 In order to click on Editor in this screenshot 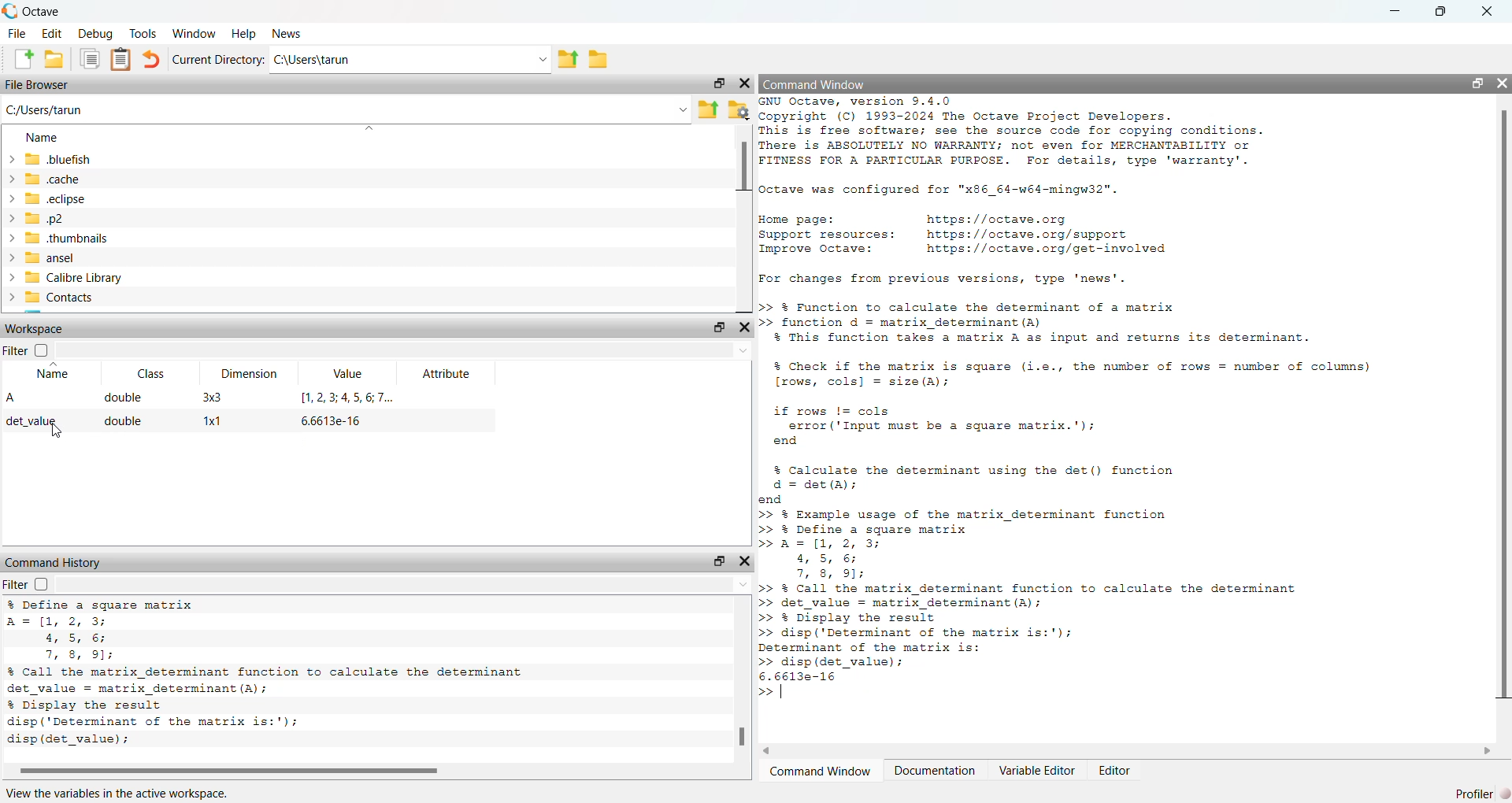, I will do `click(1117, 770)`.